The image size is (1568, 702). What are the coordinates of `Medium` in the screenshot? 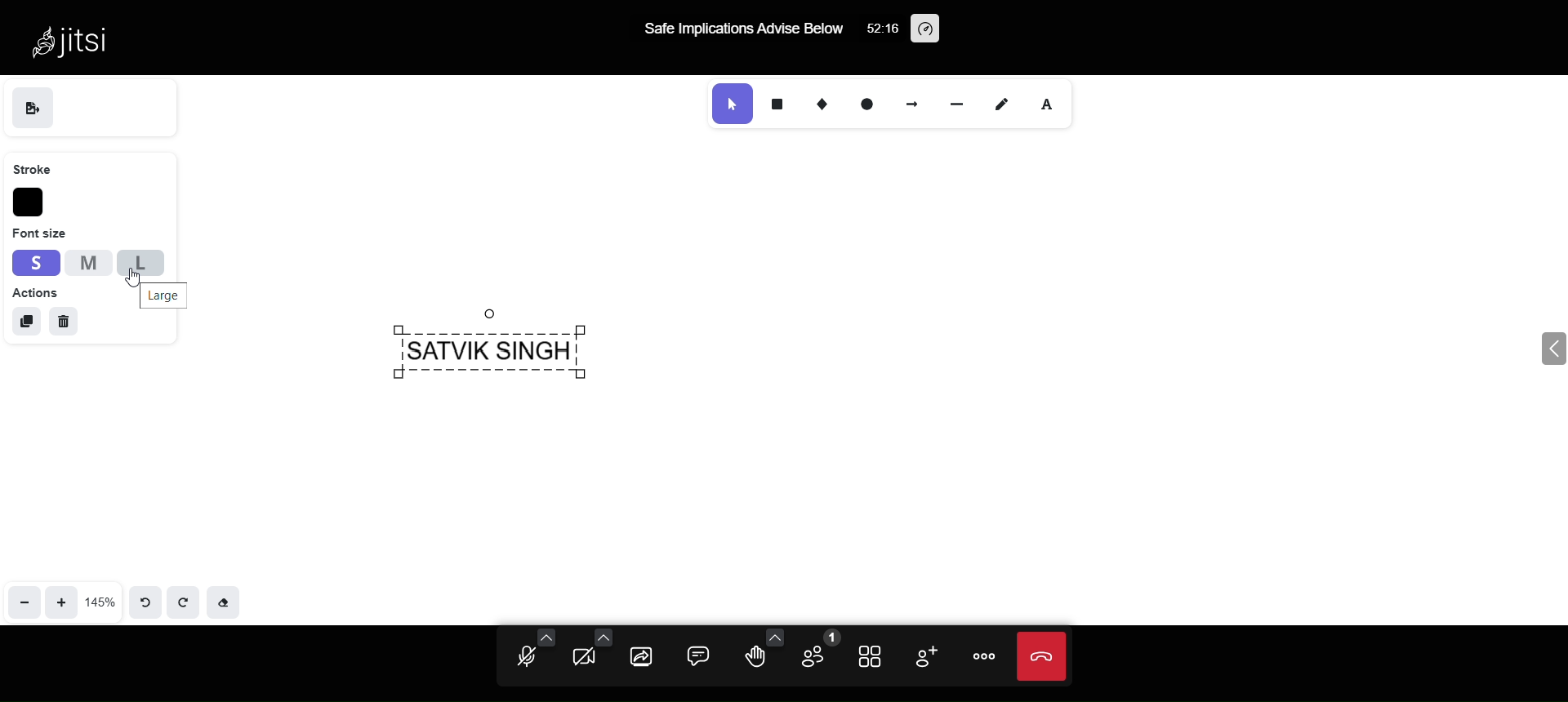 It's located at (87, 261).